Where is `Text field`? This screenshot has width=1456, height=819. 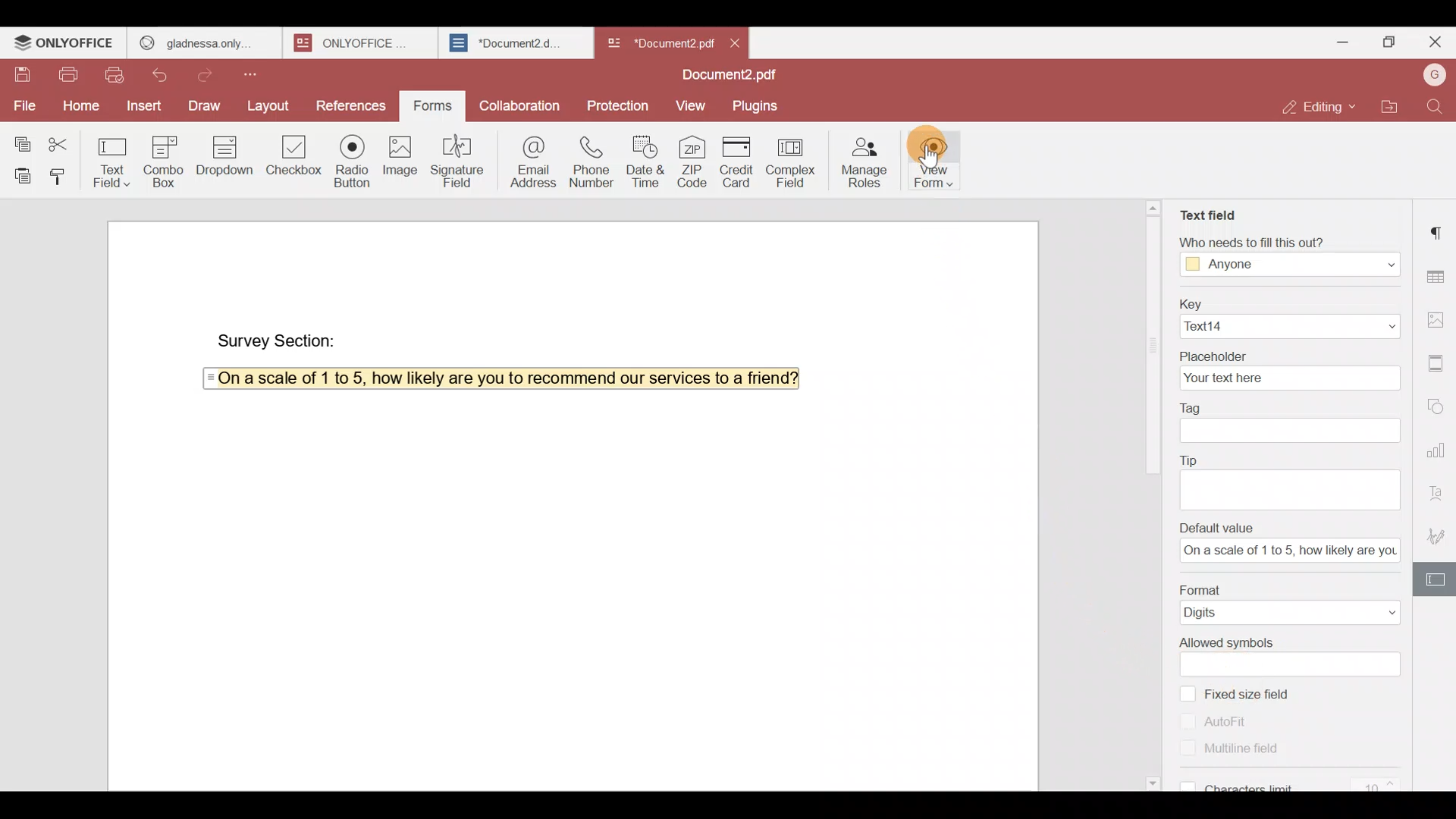
Text field is located at coordinates (1207, 212).